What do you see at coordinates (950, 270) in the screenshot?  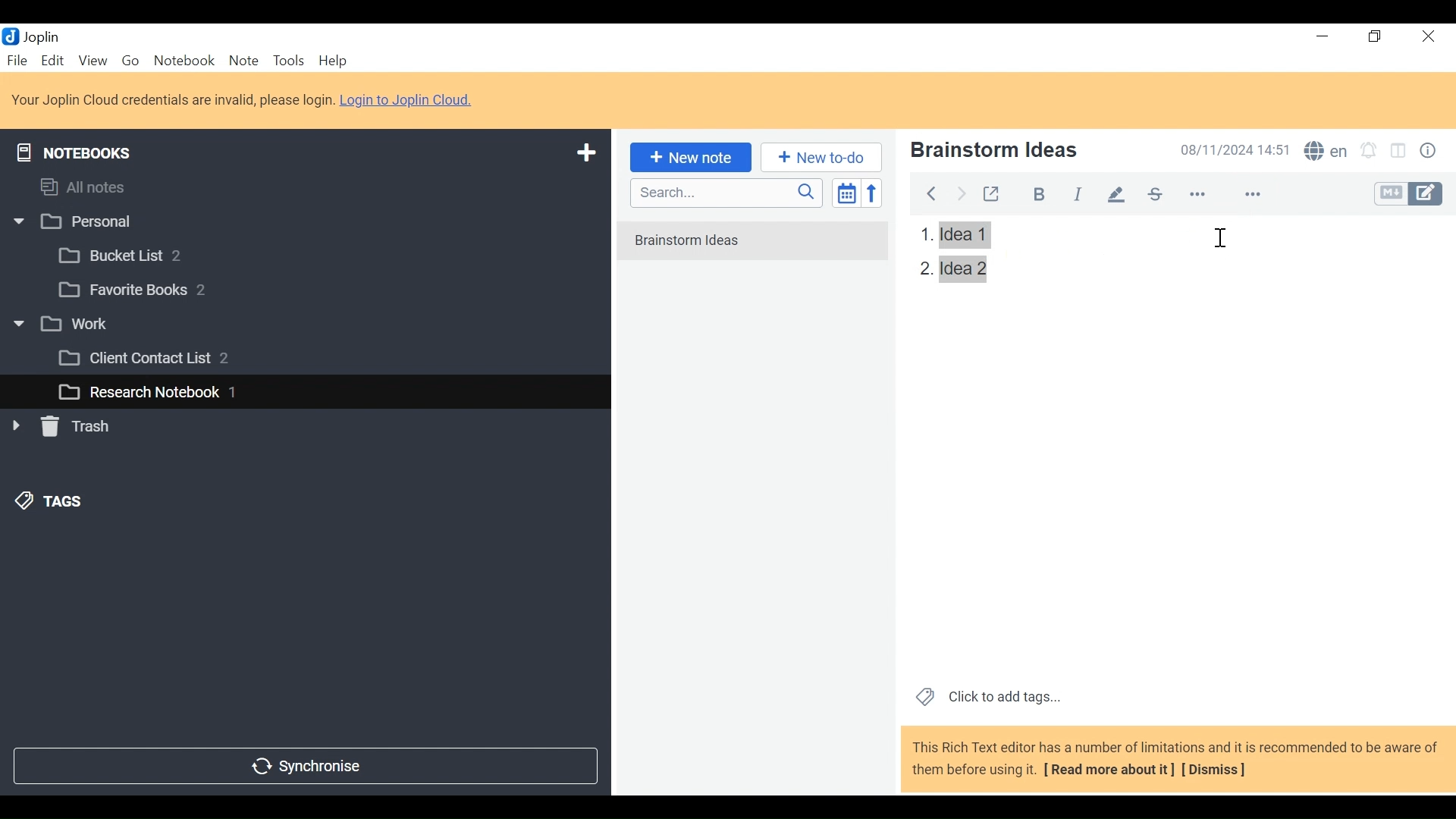 I see `Note View` at bounding box center [950, 270].